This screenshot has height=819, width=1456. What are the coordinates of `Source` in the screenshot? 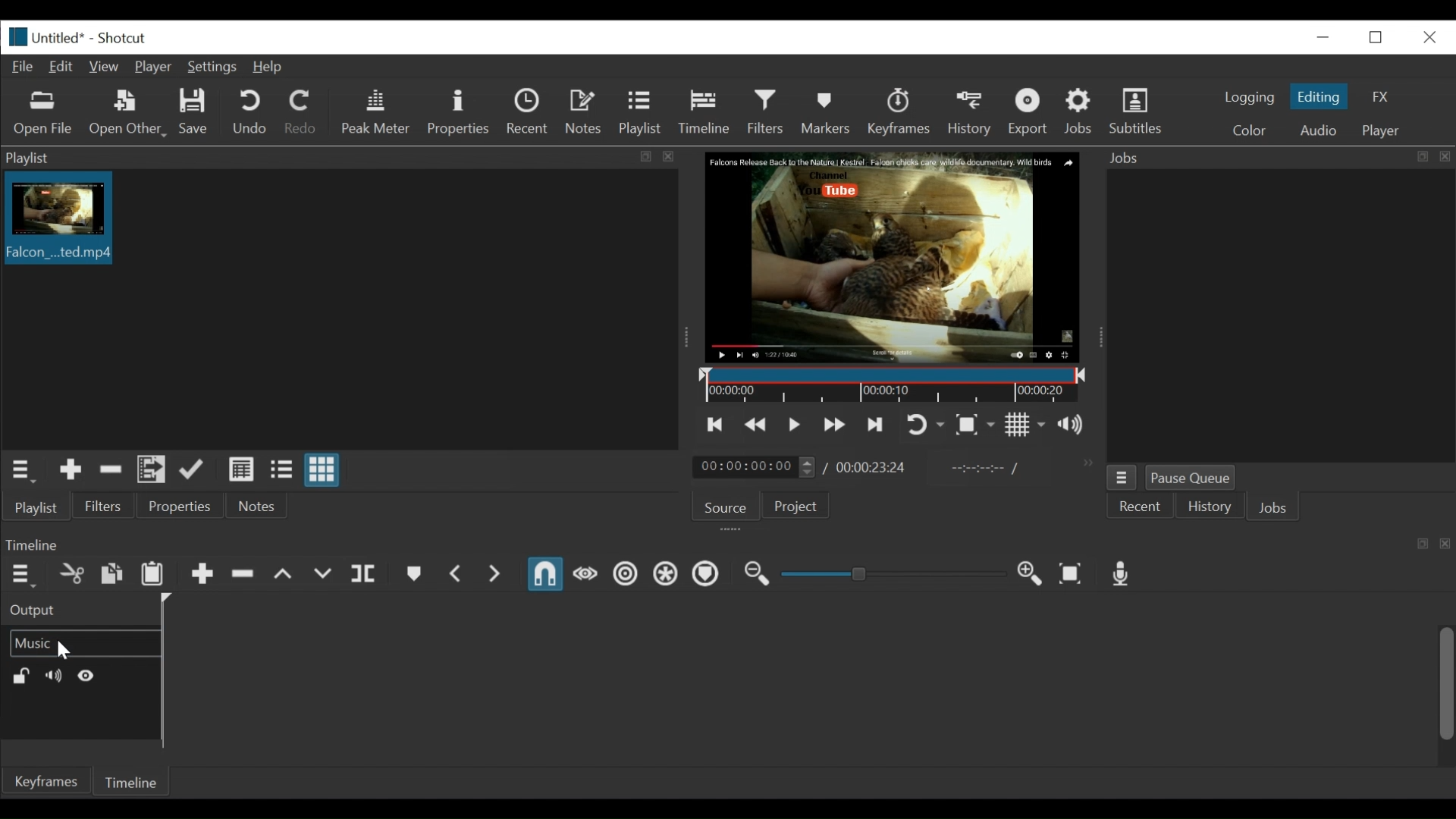 It's located at (722, 506).